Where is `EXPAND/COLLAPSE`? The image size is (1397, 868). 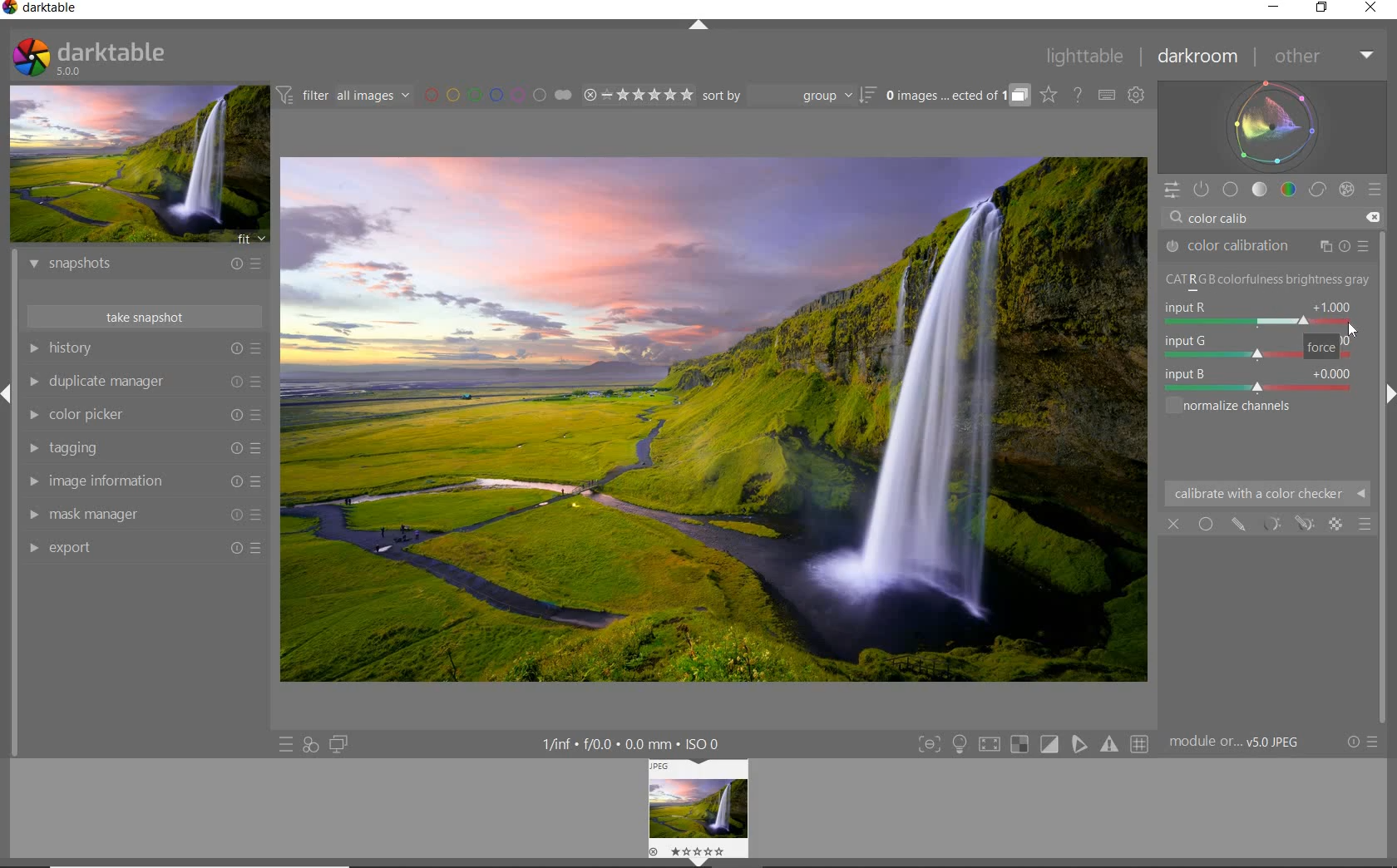 EXPAND/COLLAPSE is located at coordinates (700, 28).